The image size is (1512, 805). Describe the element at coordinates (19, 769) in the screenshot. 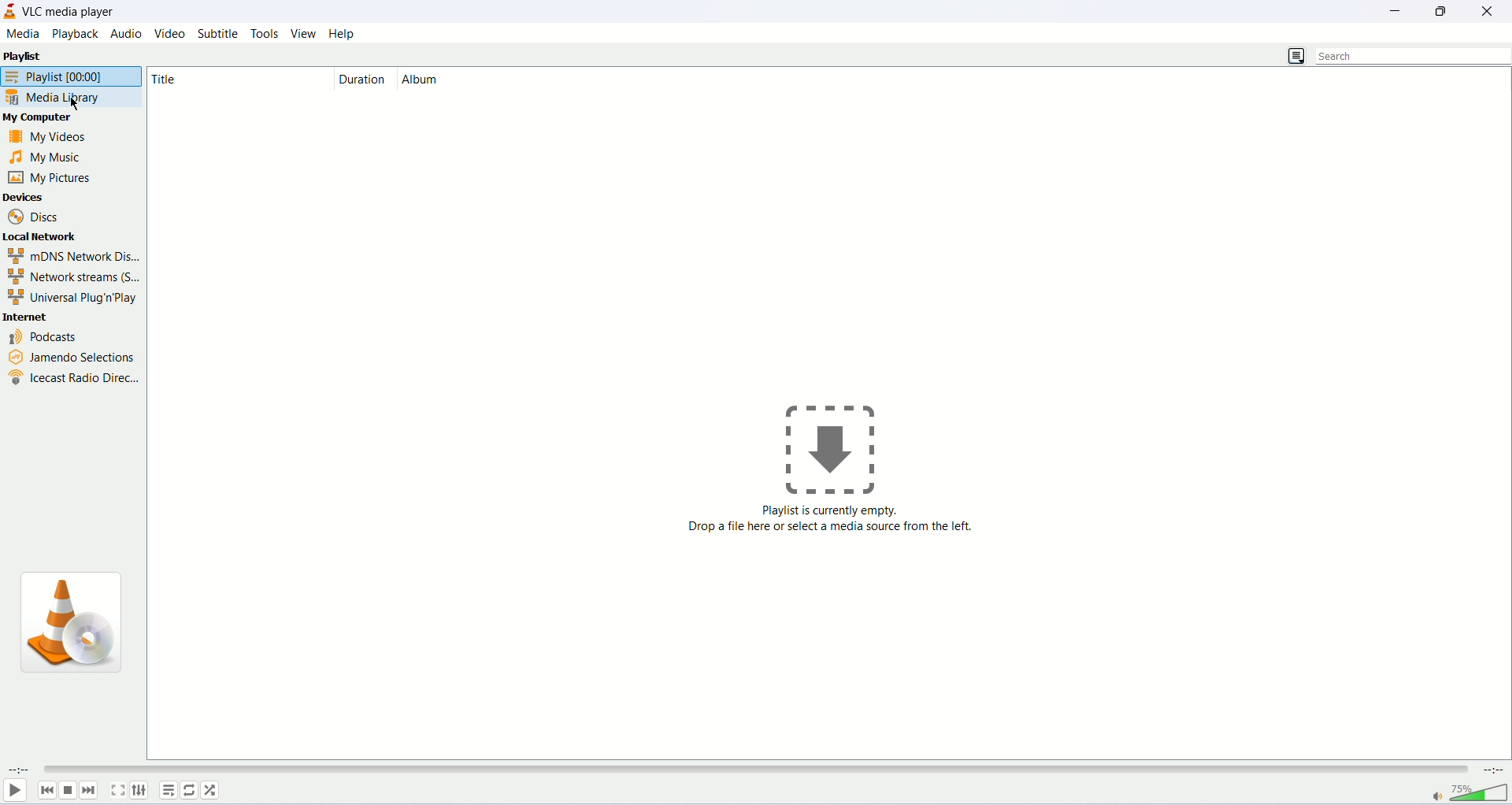

I see `elapsed time` at that location.